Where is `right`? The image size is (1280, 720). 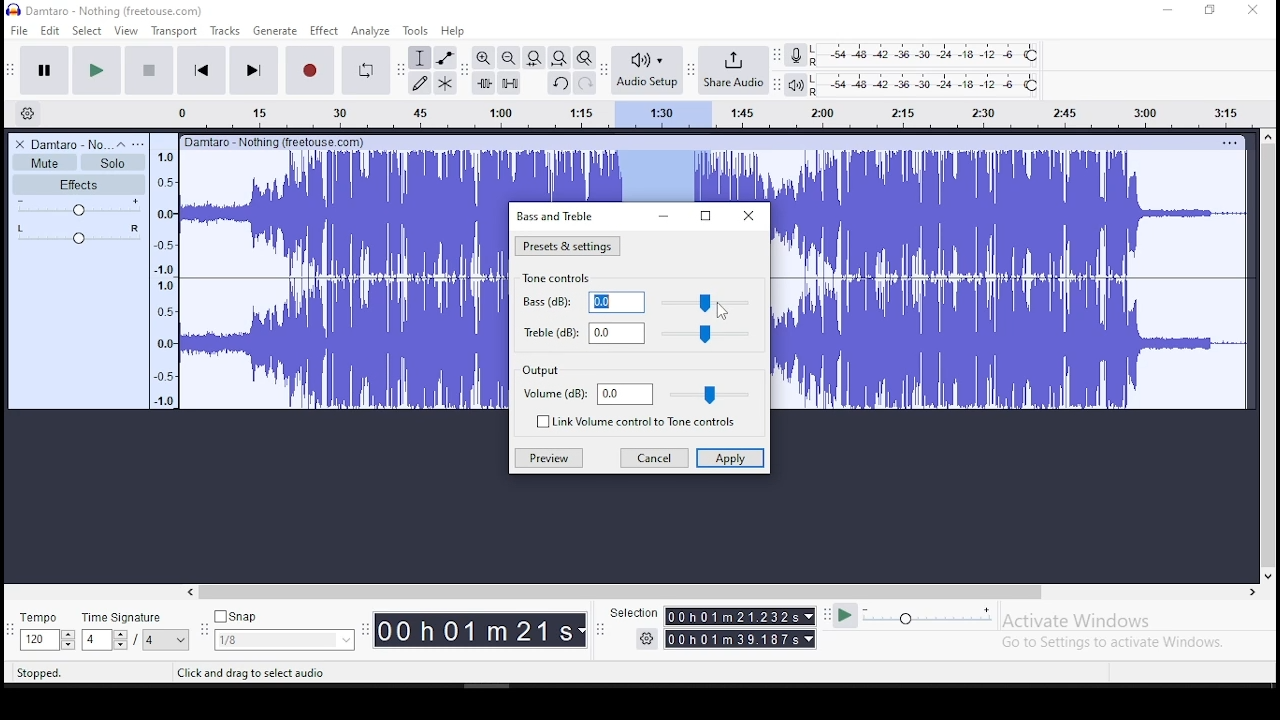 right is located at coordinates (1251, 592).